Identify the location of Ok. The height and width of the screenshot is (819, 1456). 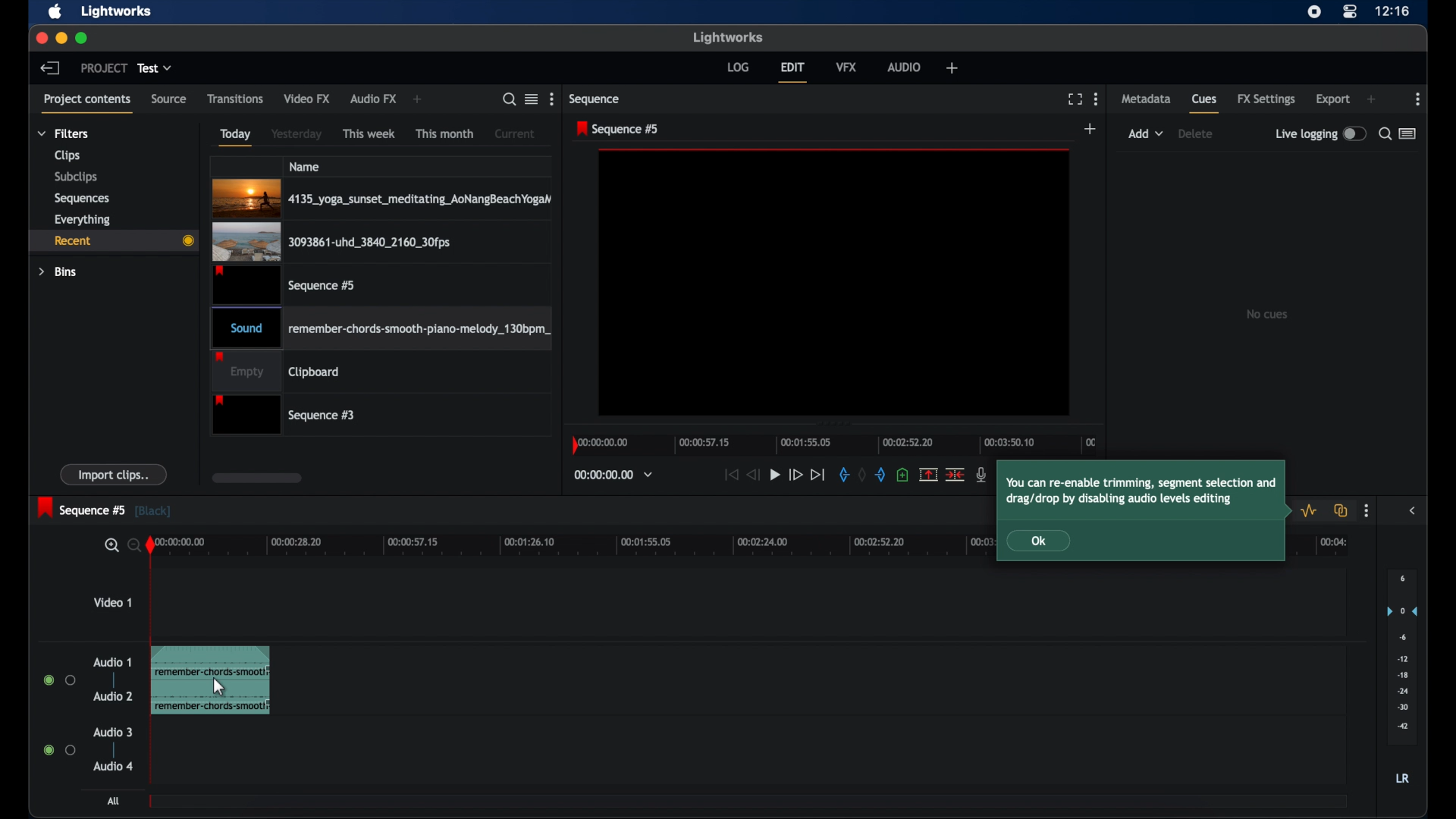
(1047, 541).